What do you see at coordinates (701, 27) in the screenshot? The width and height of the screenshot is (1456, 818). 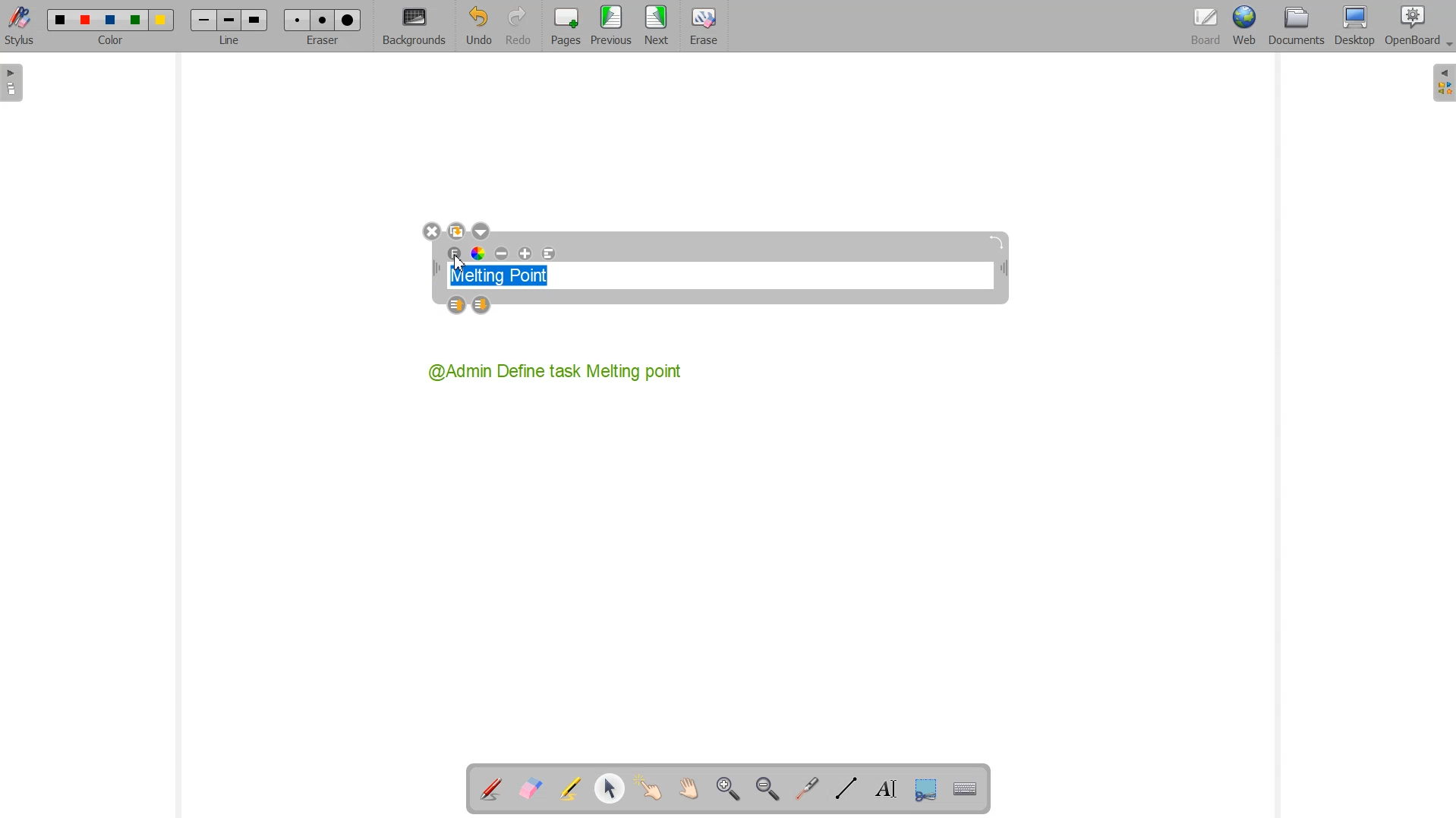 I see `Eraser` at bounding box center [701, 27].